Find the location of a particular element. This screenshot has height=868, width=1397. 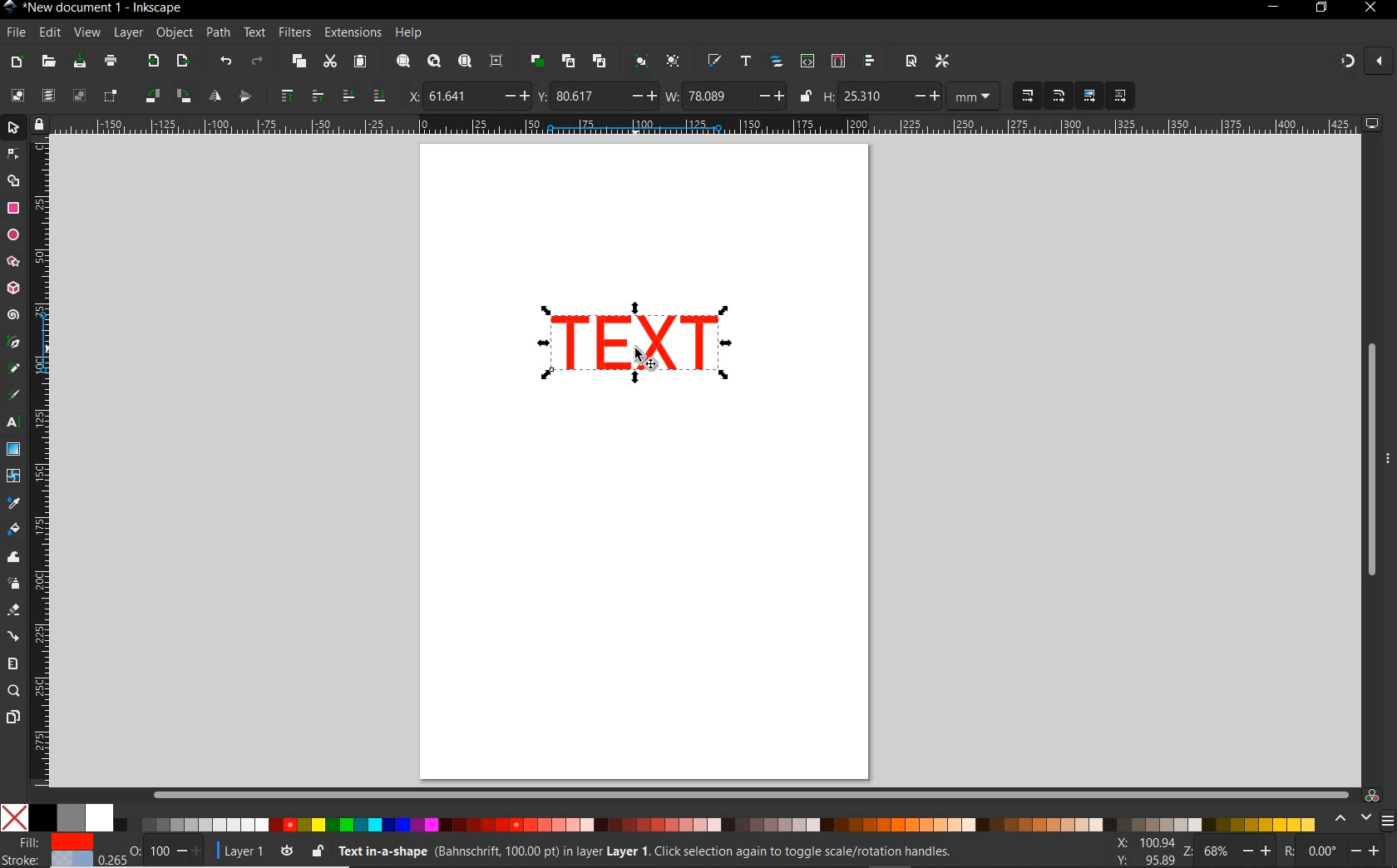

cursor coordintes is located at coordinates (1143, 850).